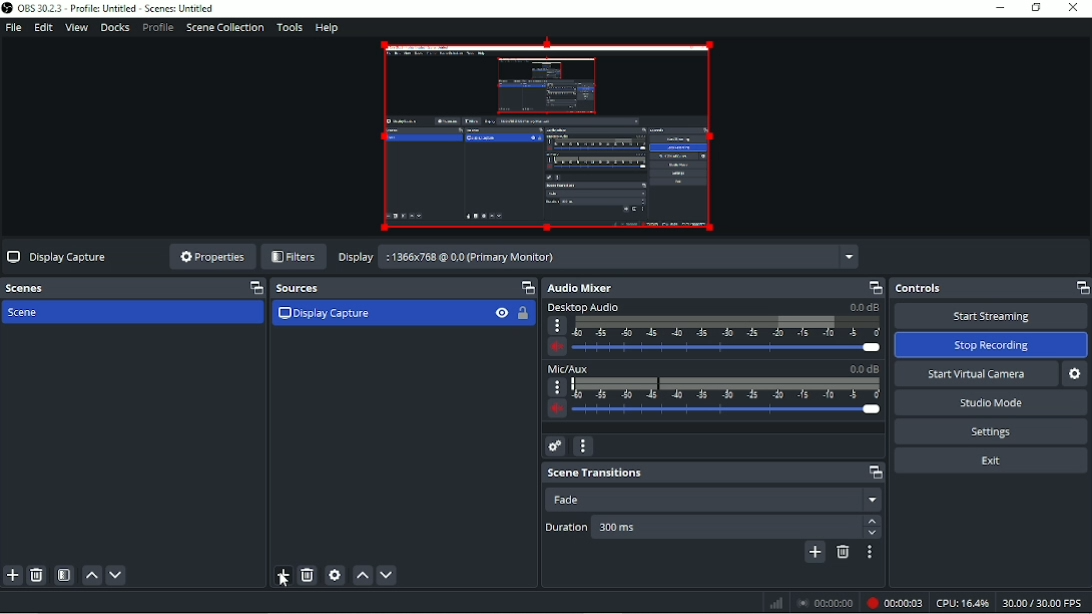 This screenshot has width=1092, height=614. Describe the element at coordinates (725, 527) in the screenshot. I see `` at that location.